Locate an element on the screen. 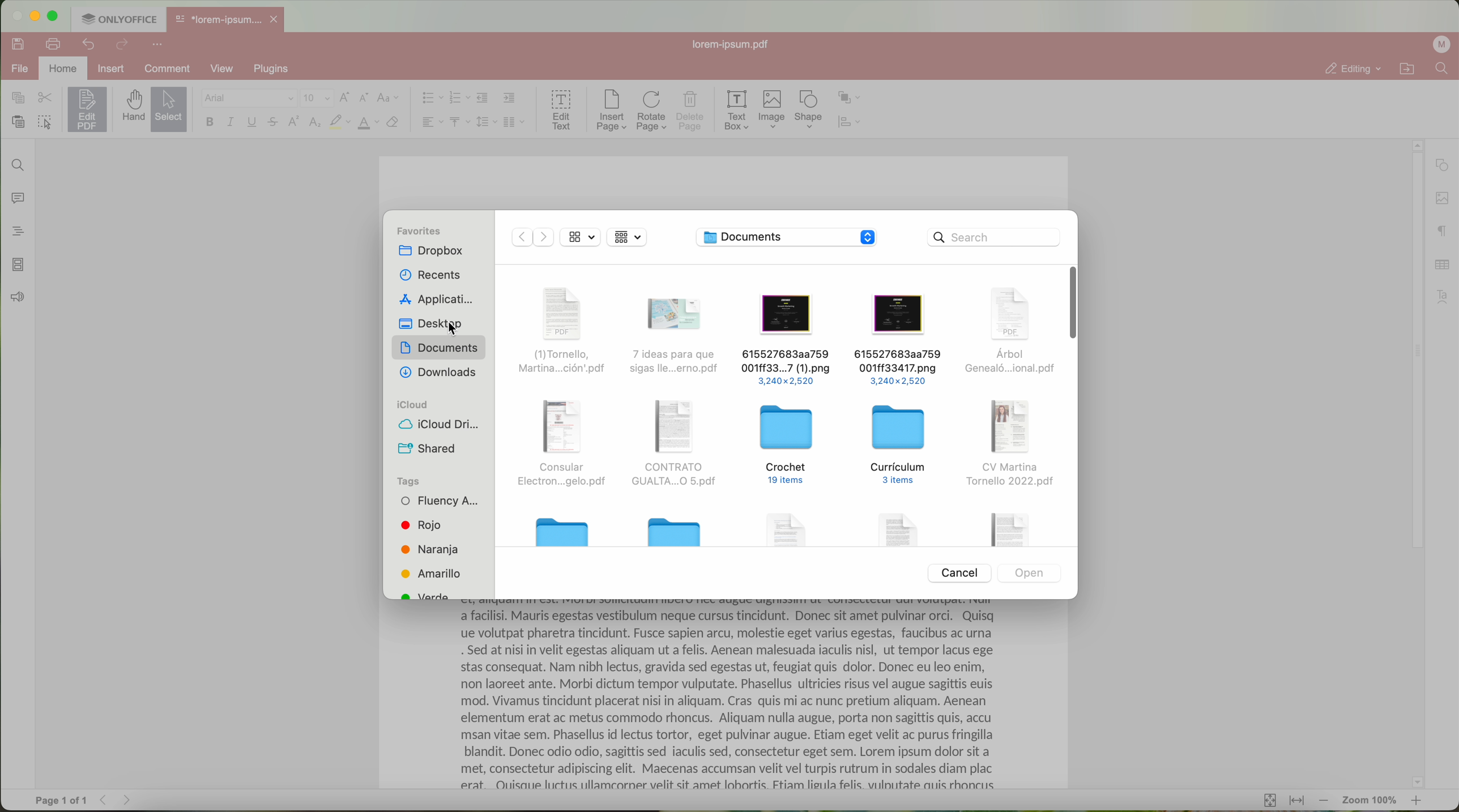 The width and height of the screenshot is (1459, 812). zoom out is located at coordinates (1324, 801).